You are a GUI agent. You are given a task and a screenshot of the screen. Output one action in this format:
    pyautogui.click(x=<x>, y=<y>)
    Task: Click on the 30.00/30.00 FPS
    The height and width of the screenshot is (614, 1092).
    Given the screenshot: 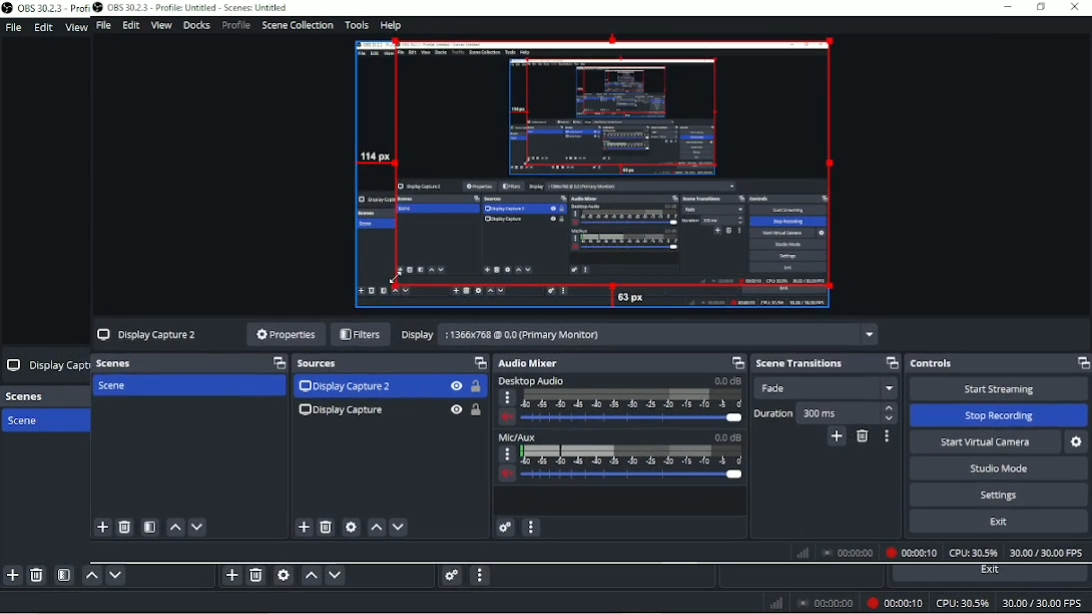 What is the action you would take?
    pyautogui.click(x=1046, y=604)
    